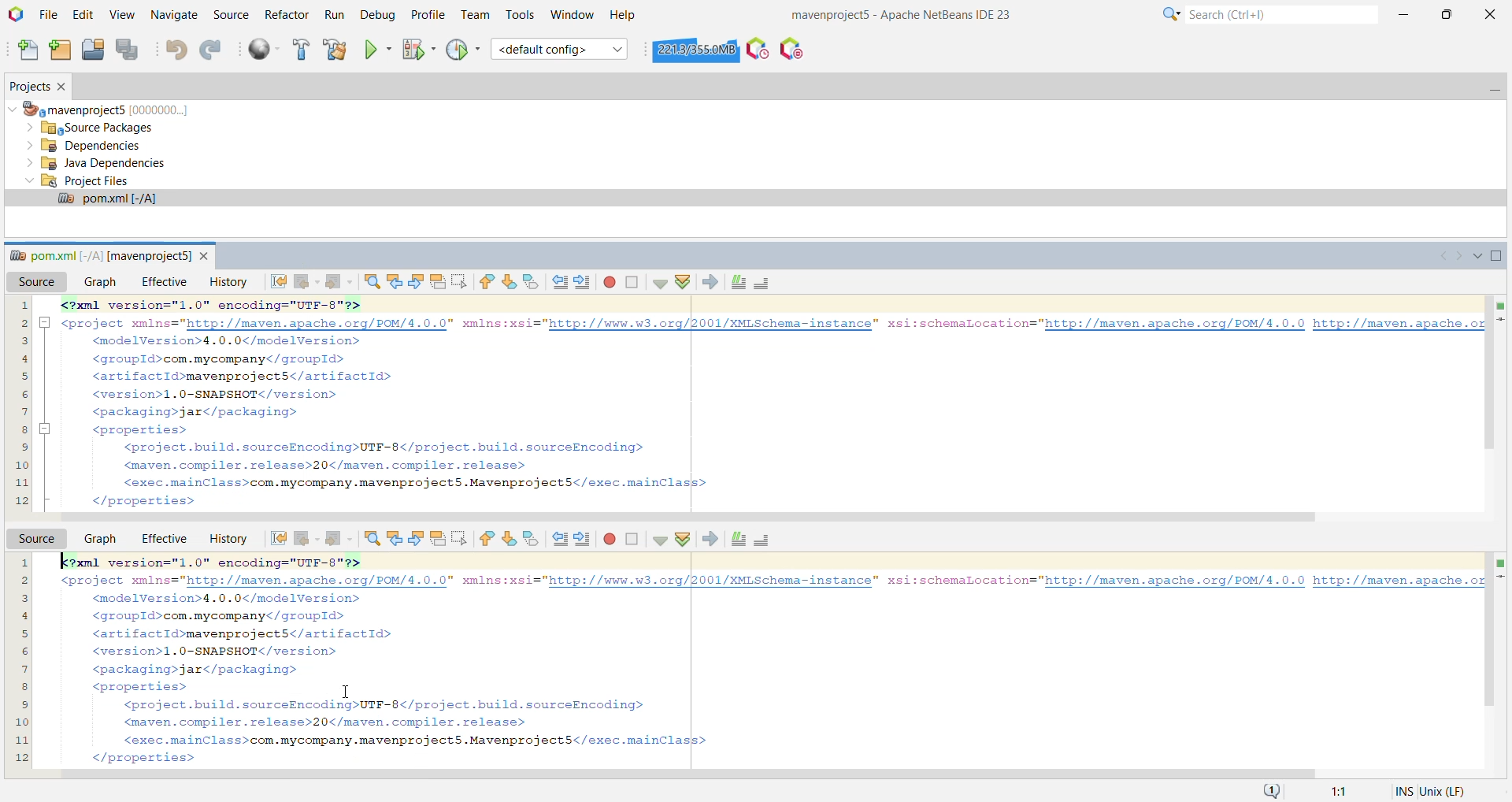 The height and width of the screenshot is (802, 1512). What do you see at coordinates (509, 540) in the screenshot?
I see `Next Bookmark` at bounding box center [509, 540].